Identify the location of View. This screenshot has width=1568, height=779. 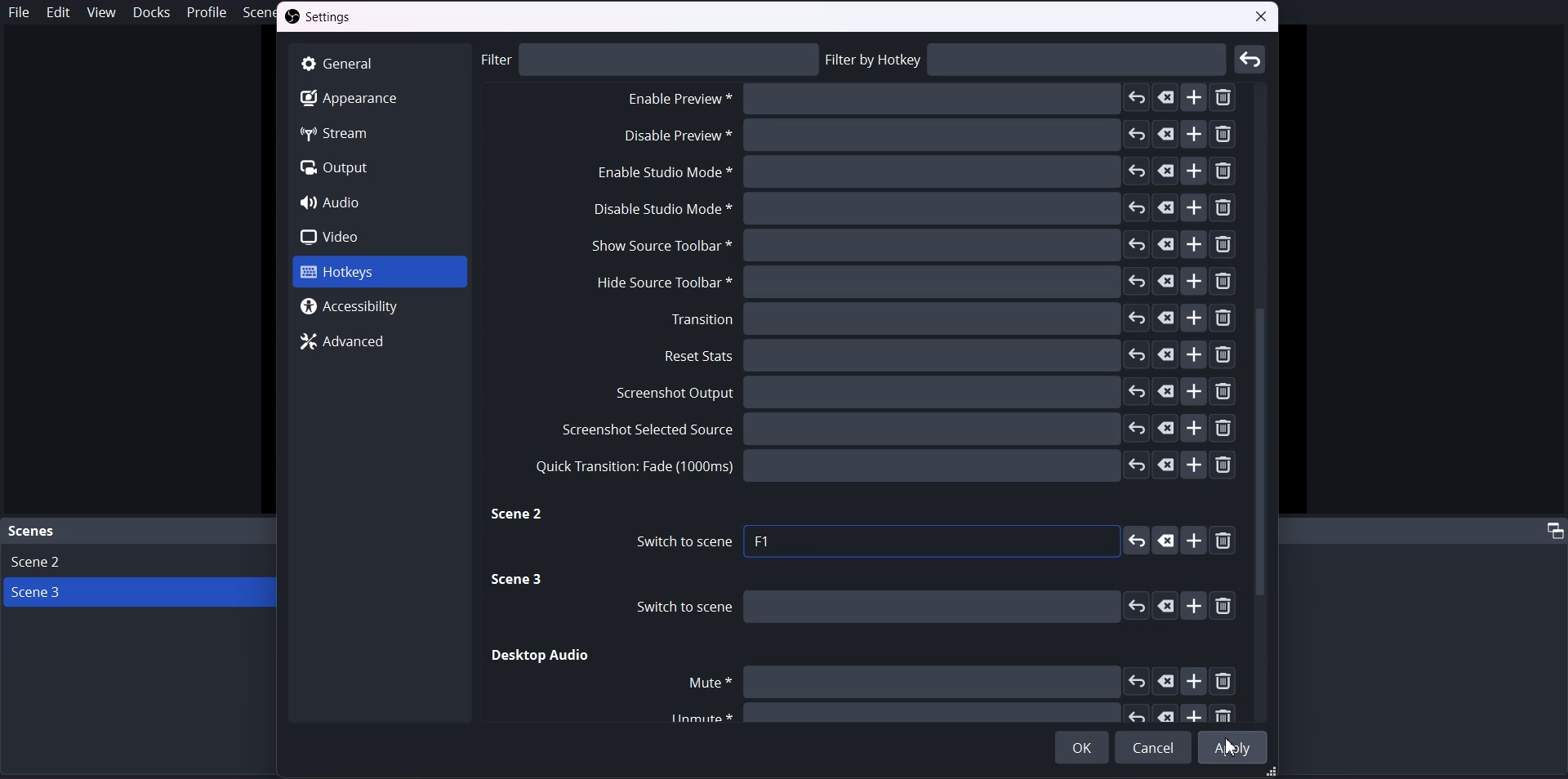
(100, 11).